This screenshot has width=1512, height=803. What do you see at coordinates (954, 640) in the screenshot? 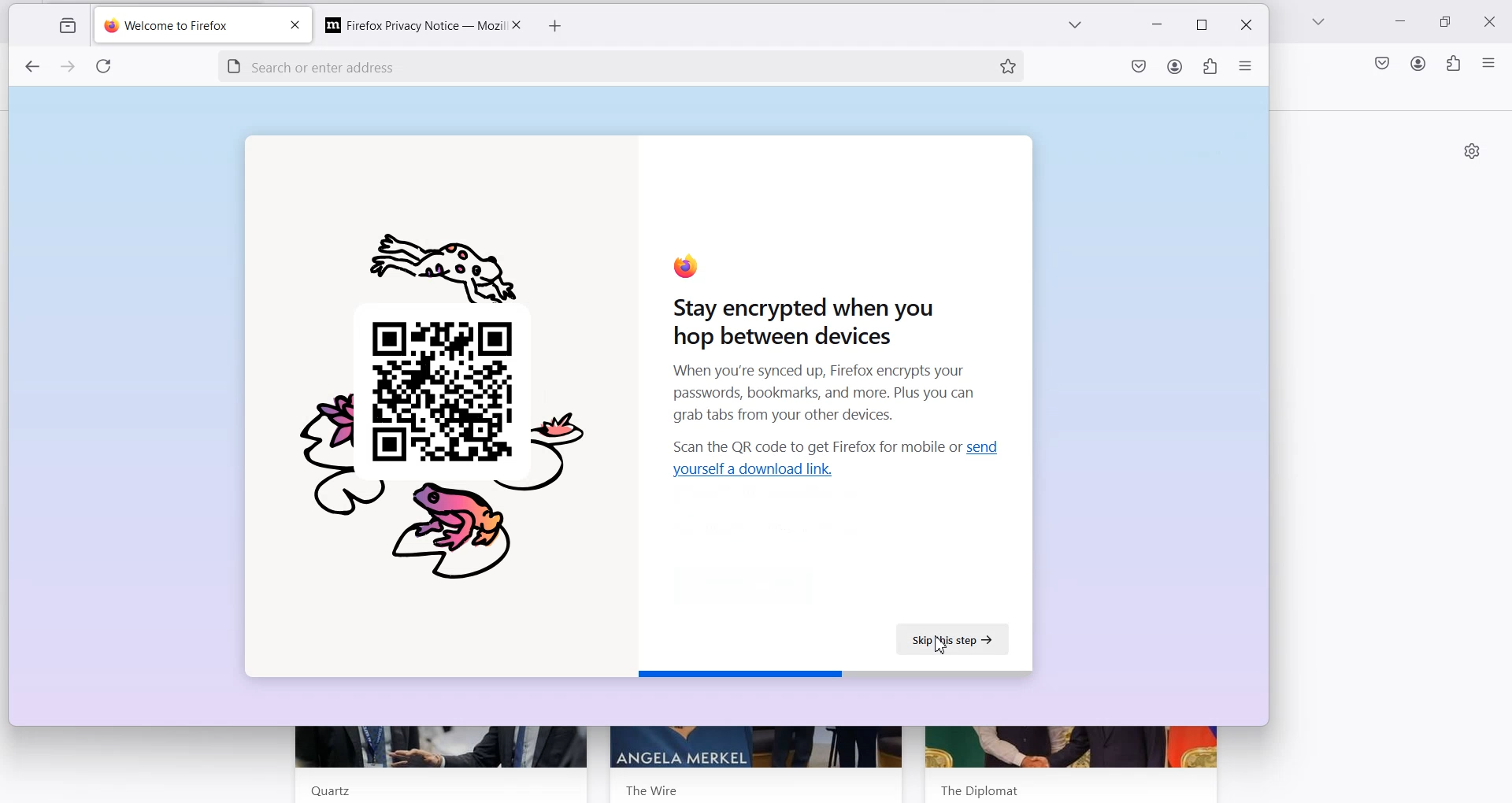
I see `Skip this Step` at bounding box center [954, 640].